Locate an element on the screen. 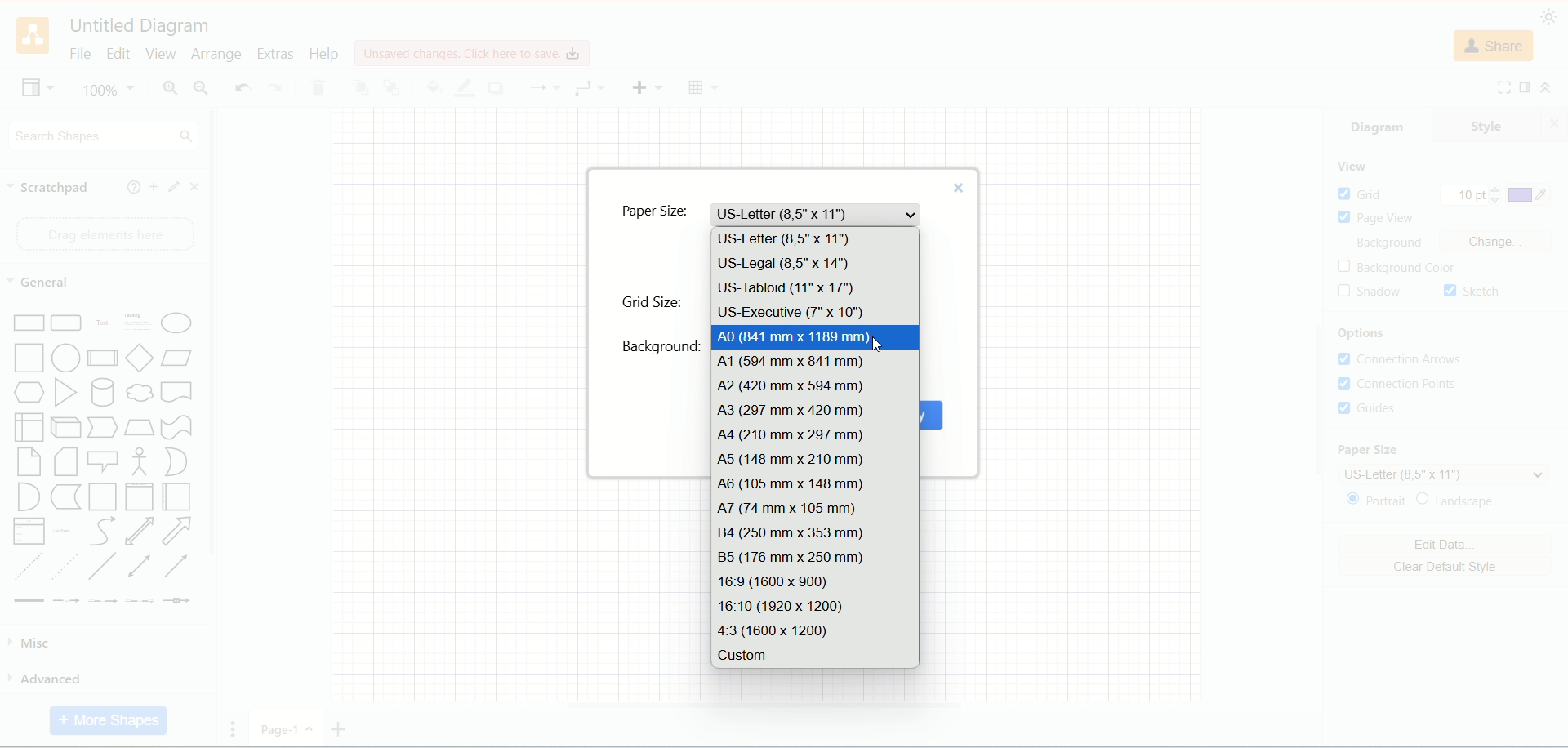 The image size is (1568, 748). Text is located at coordinates (103, 325).